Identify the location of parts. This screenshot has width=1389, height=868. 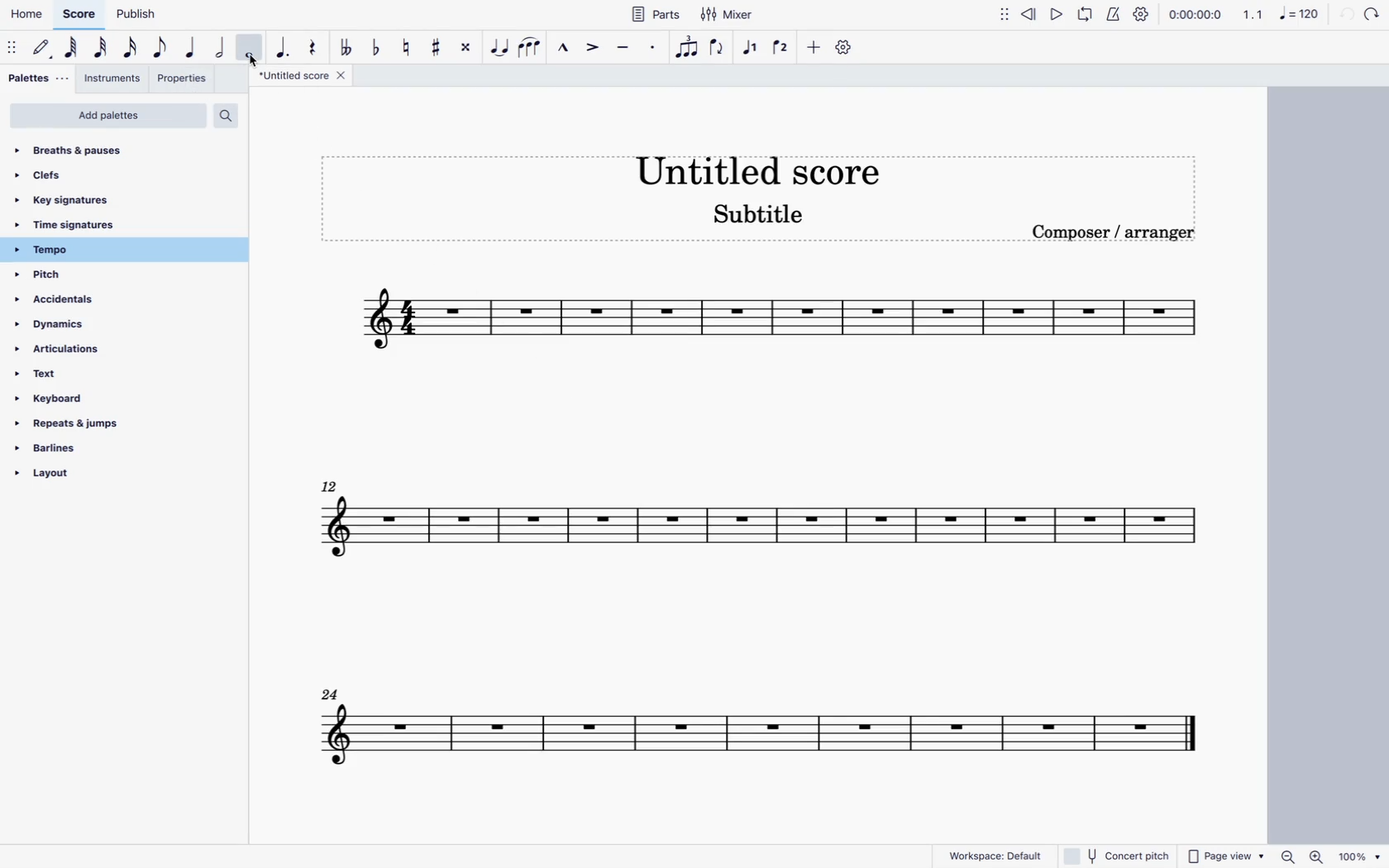
(652, 14).